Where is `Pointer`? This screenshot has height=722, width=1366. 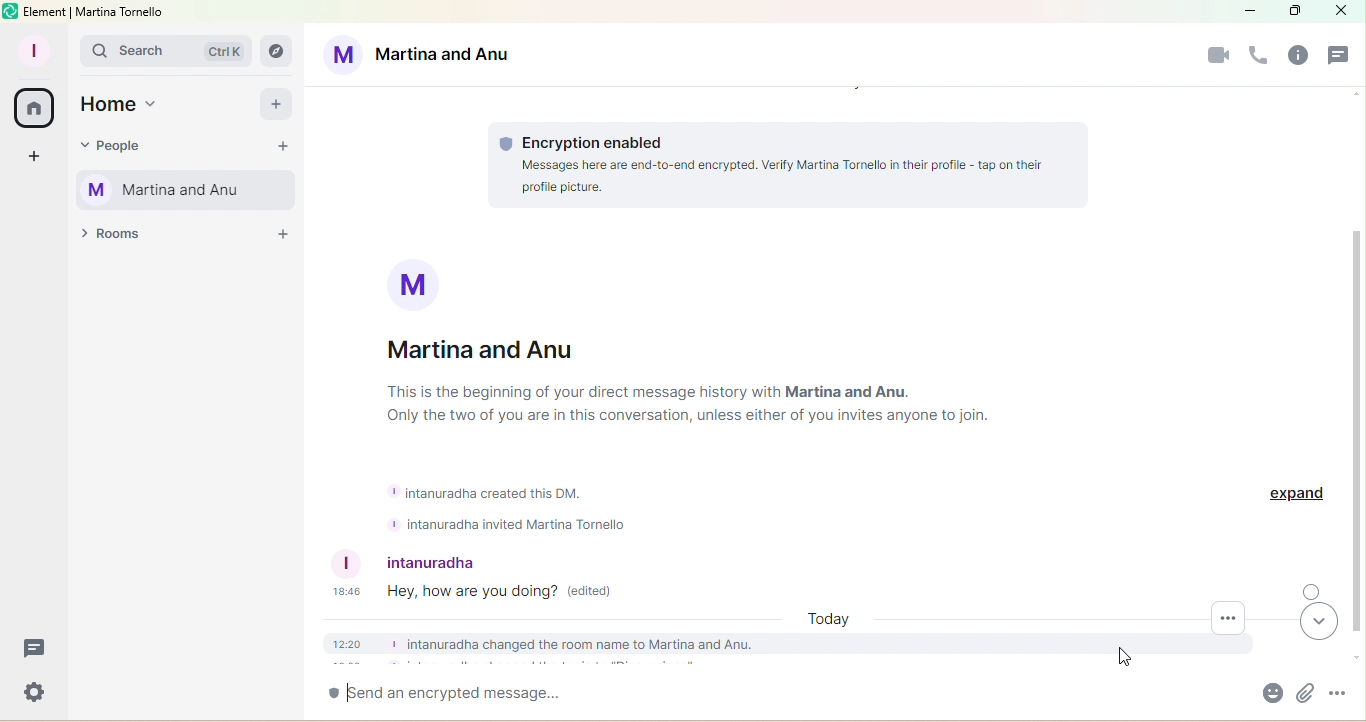 Pointer is located at coordinates (1123, 657).